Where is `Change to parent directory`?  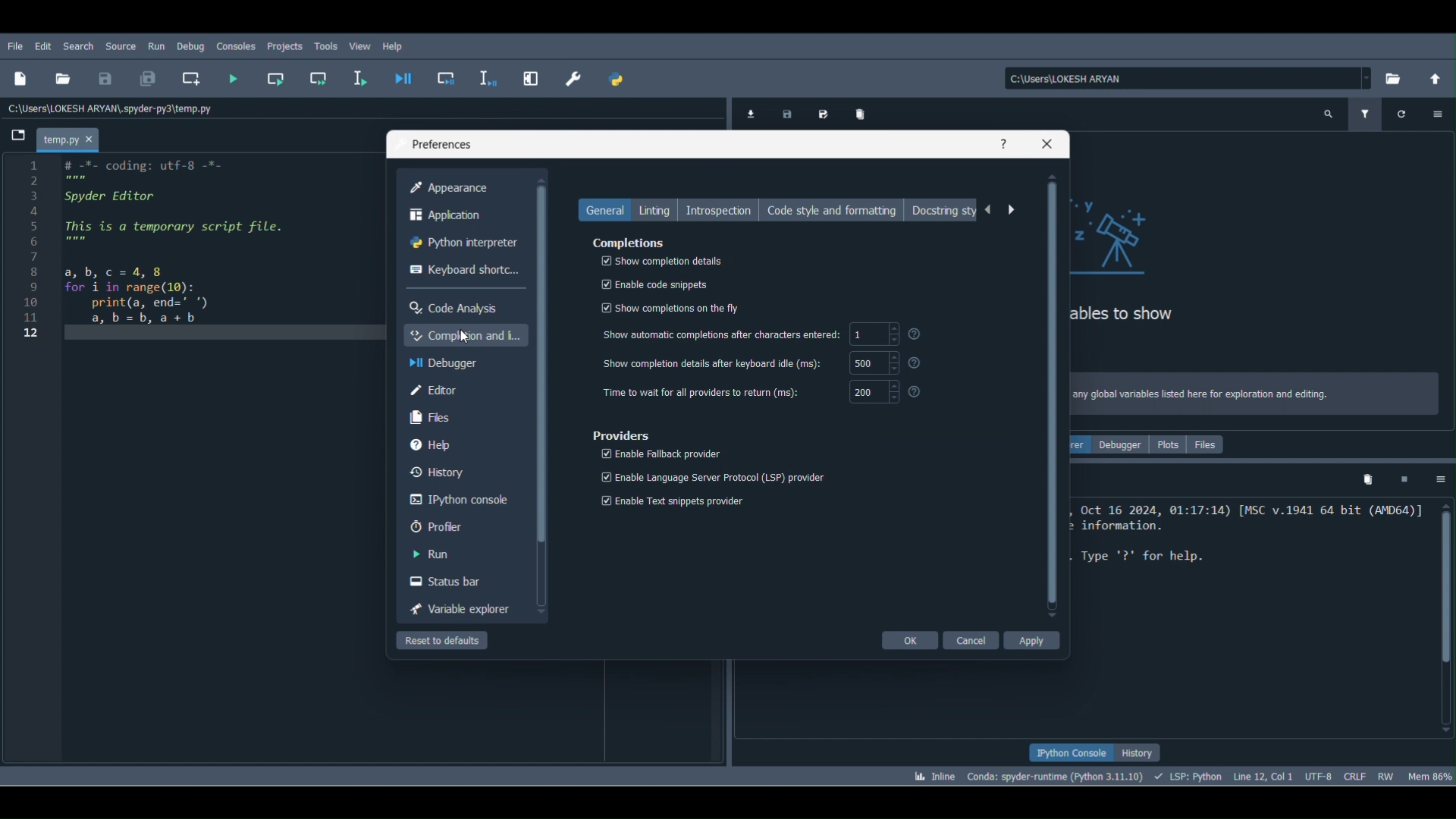
Change to parent directory is located at coordinates (1432, 80).